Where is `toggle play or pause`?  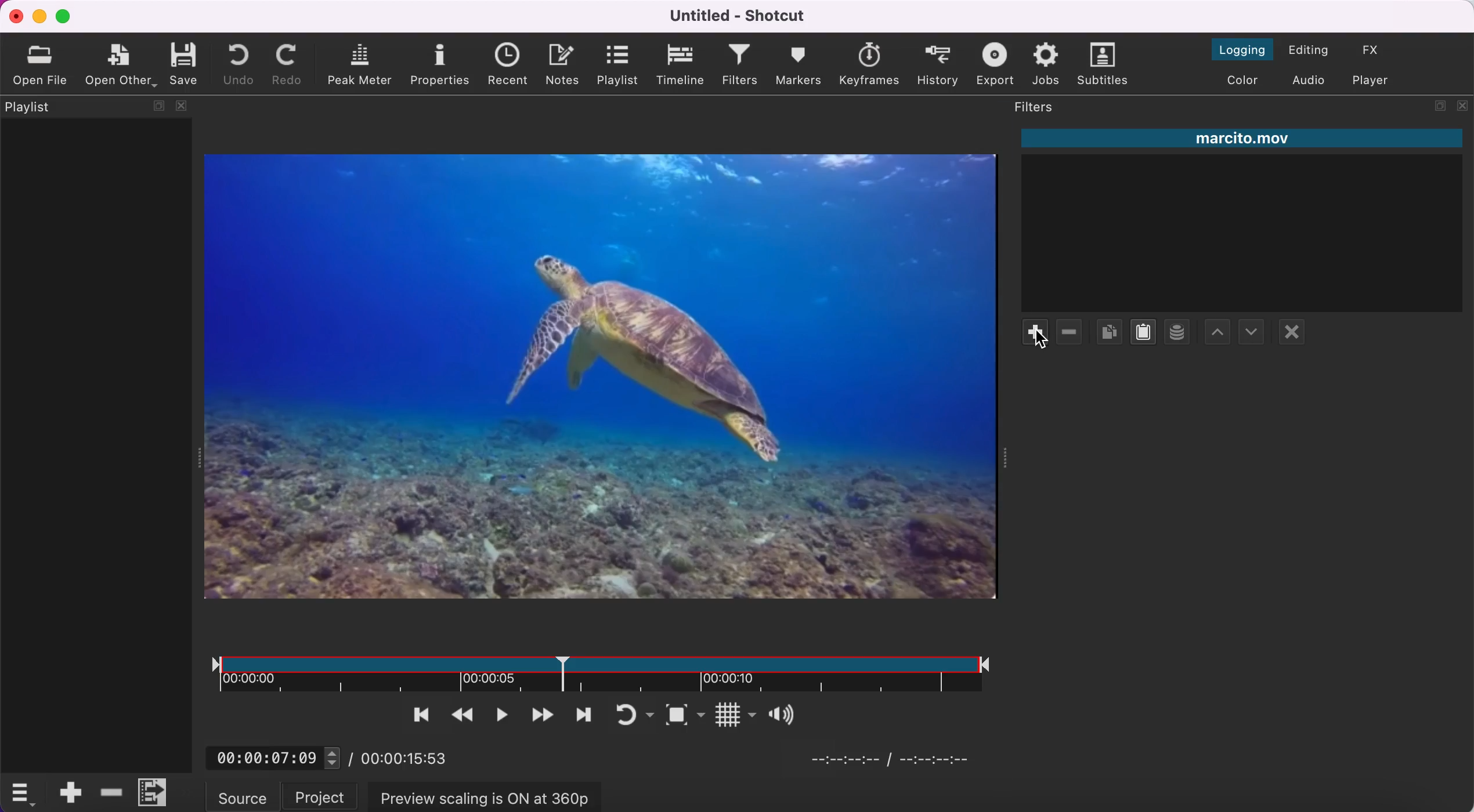 toggle play or pause is located at coordinates (499, 714).